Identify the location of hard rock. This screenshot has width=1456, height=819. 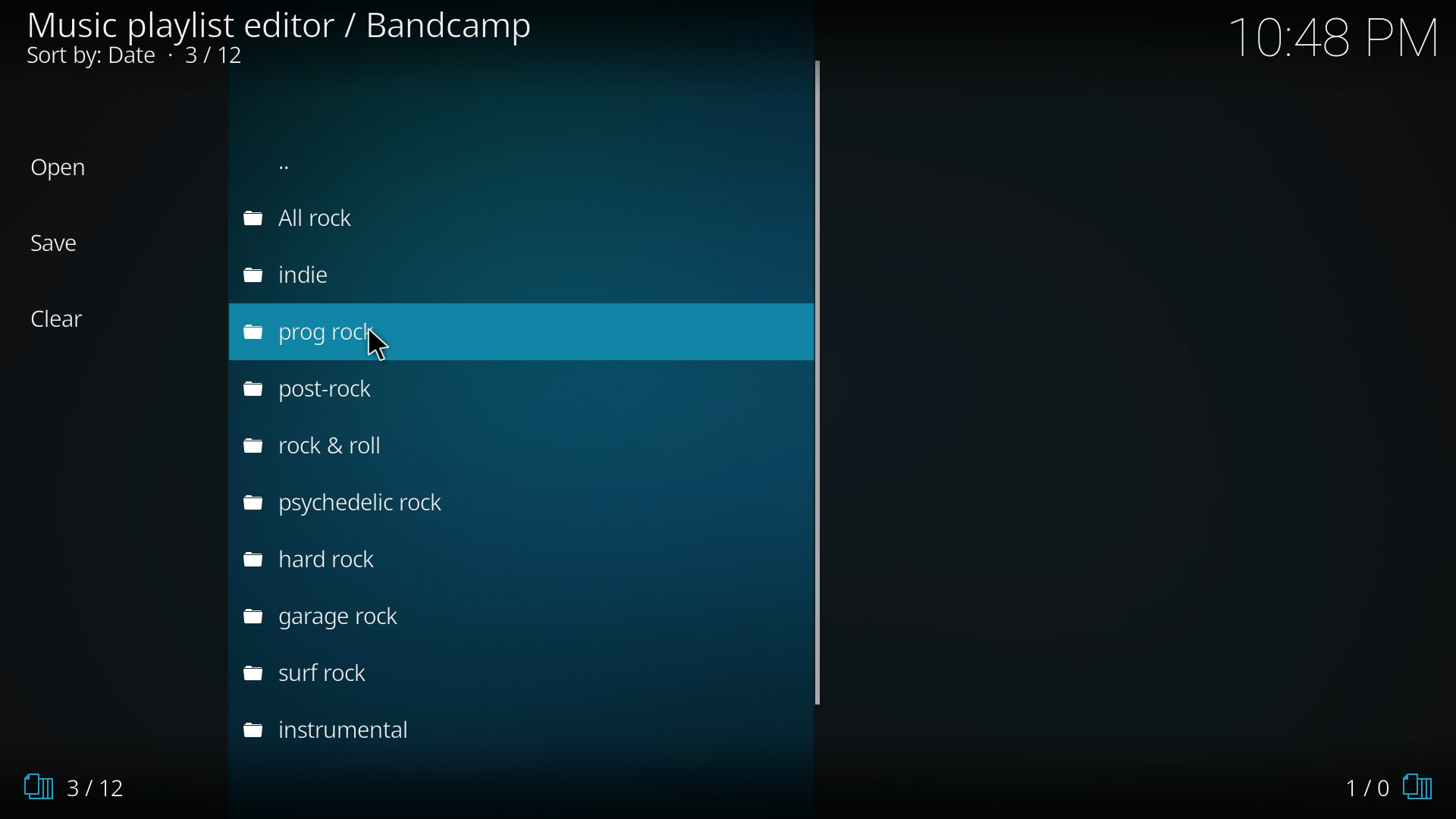
(339, 560).